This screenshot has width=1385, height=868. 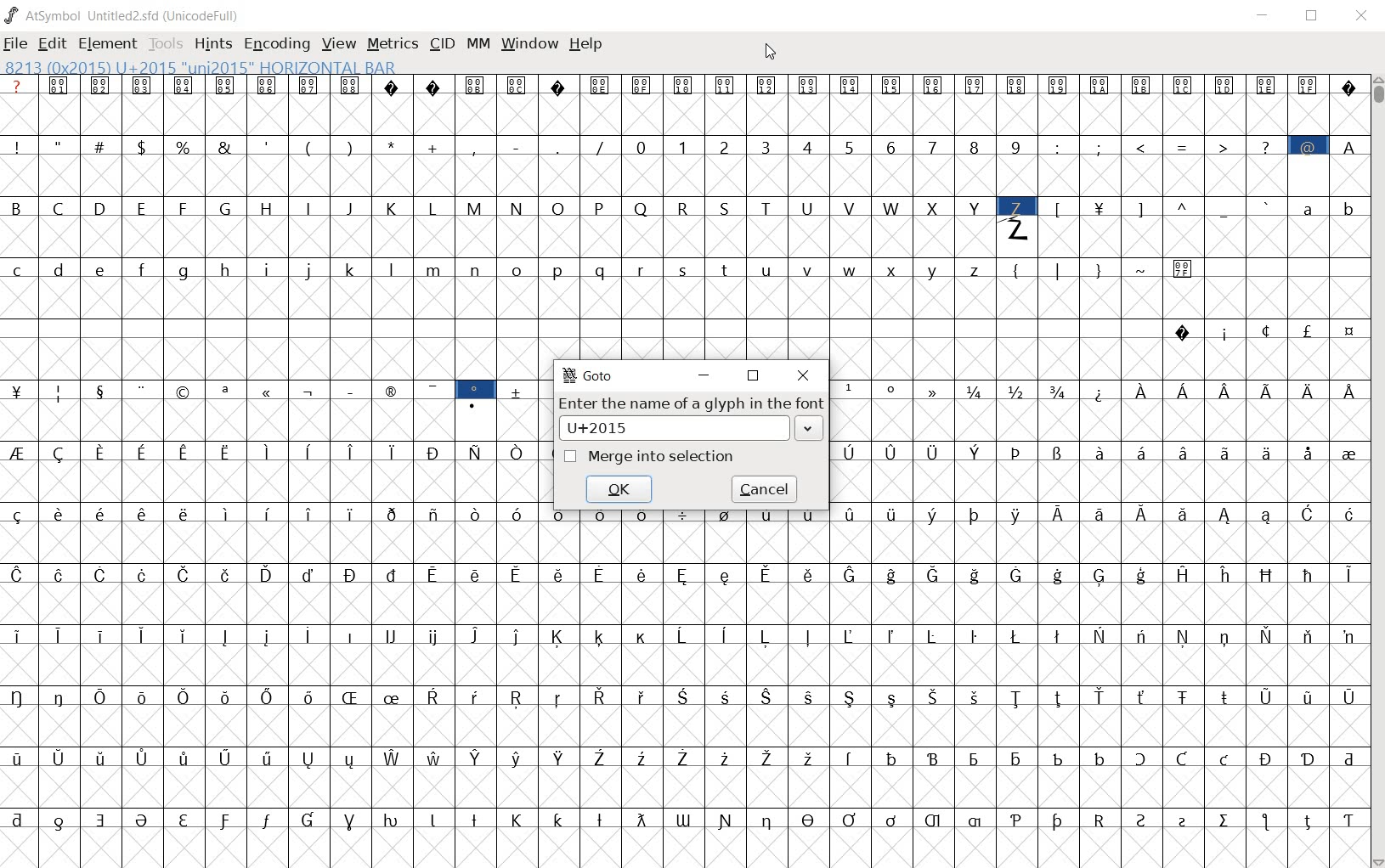 What do you see at coordinates (951, 214) in the screenshot?
I see `glyph characters` at bounding box center [951, 214].